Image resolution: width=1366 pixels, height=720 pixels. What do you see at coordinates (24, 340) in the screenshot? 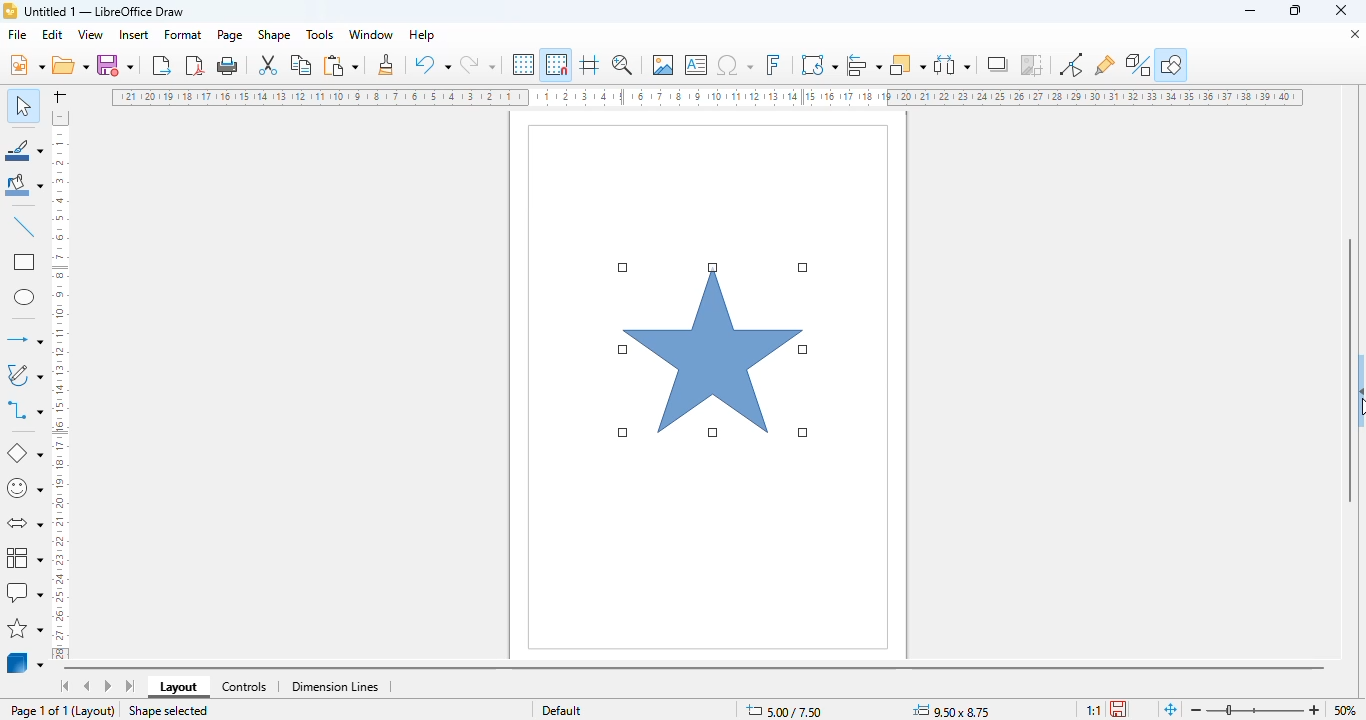
I see `lines and arrows` at bounding box center [24, 340].